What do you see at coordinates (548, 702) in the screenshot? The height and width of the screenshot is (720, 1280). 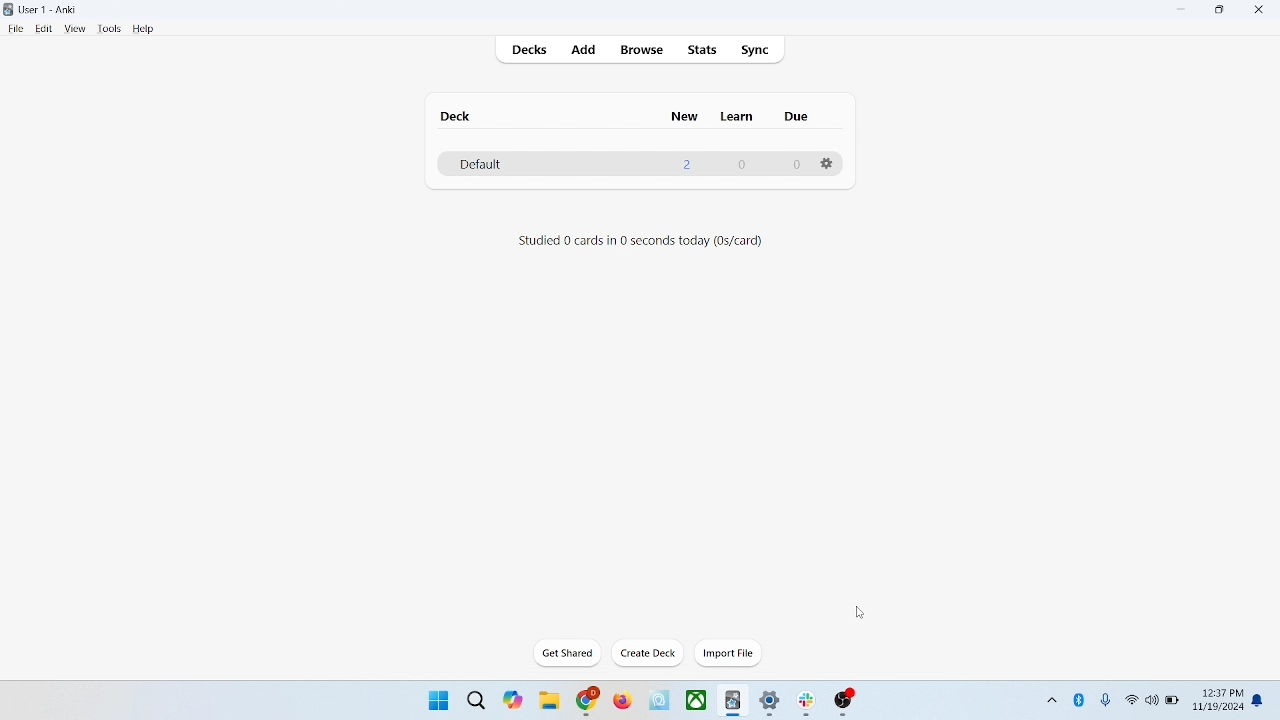 I see `folder` at bounding box center [548, 702].